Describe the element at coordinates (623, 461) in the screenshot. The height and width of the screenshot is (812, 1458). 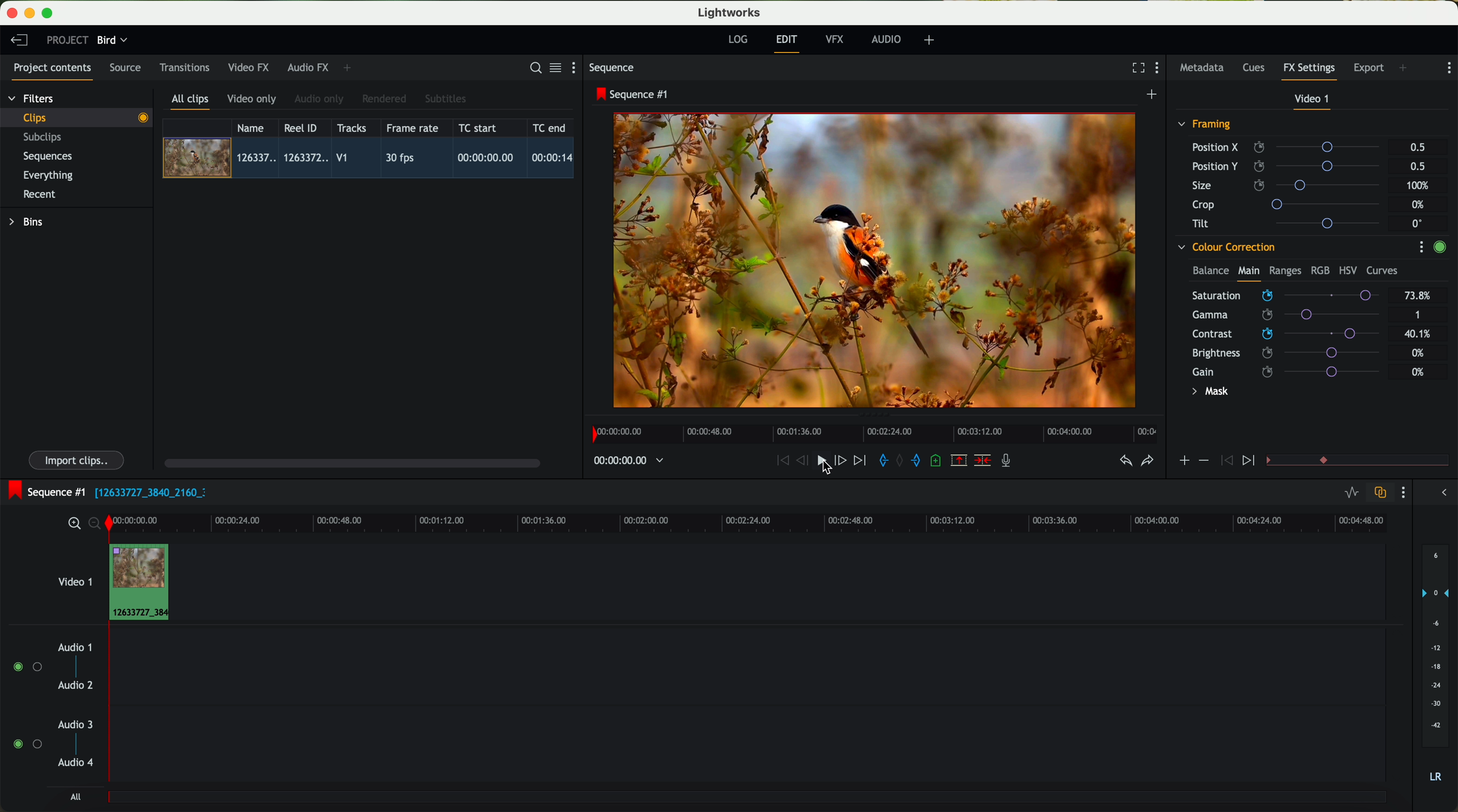
I see `timeline` at that location.